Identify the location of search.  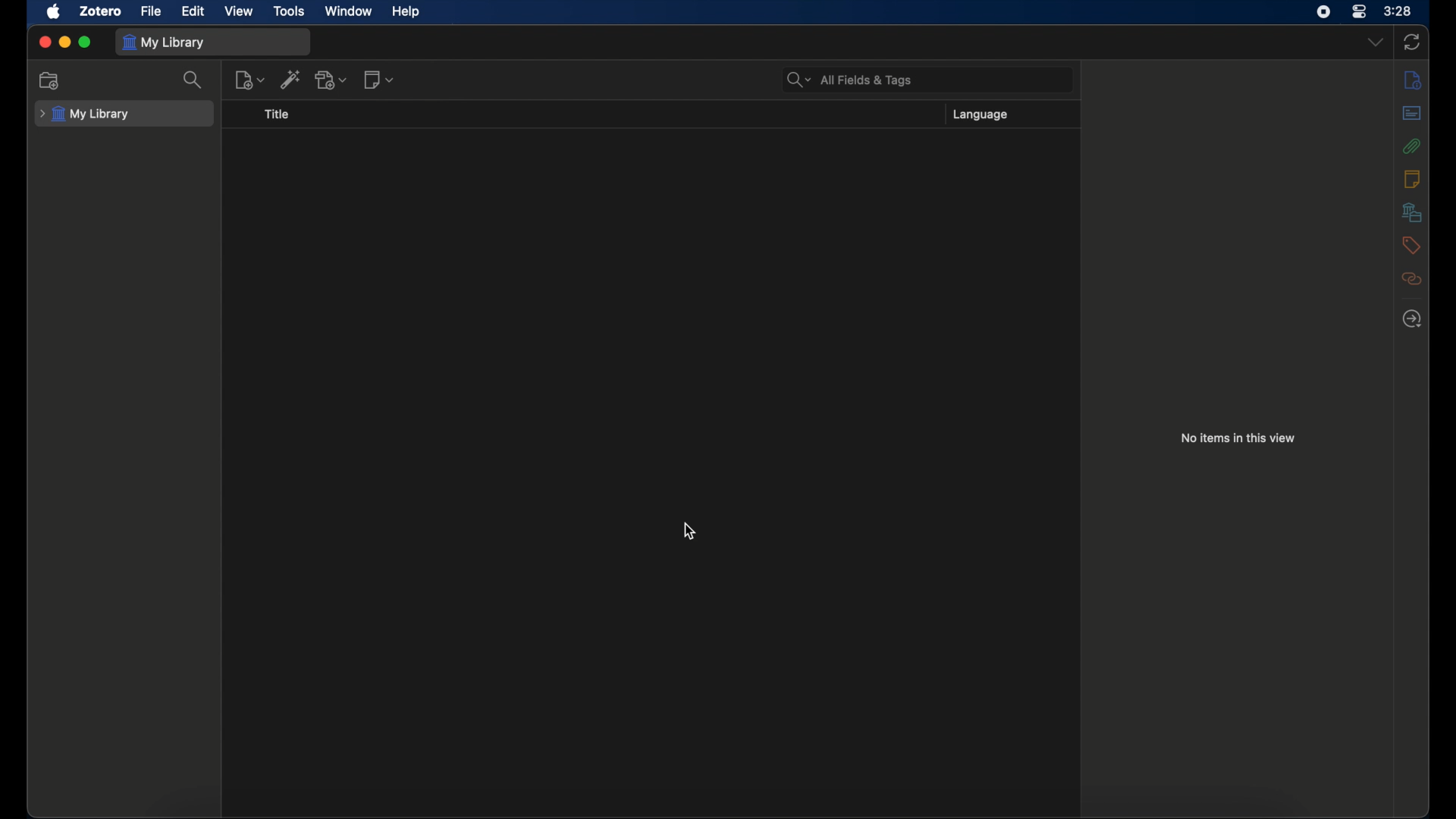
(194, 79).